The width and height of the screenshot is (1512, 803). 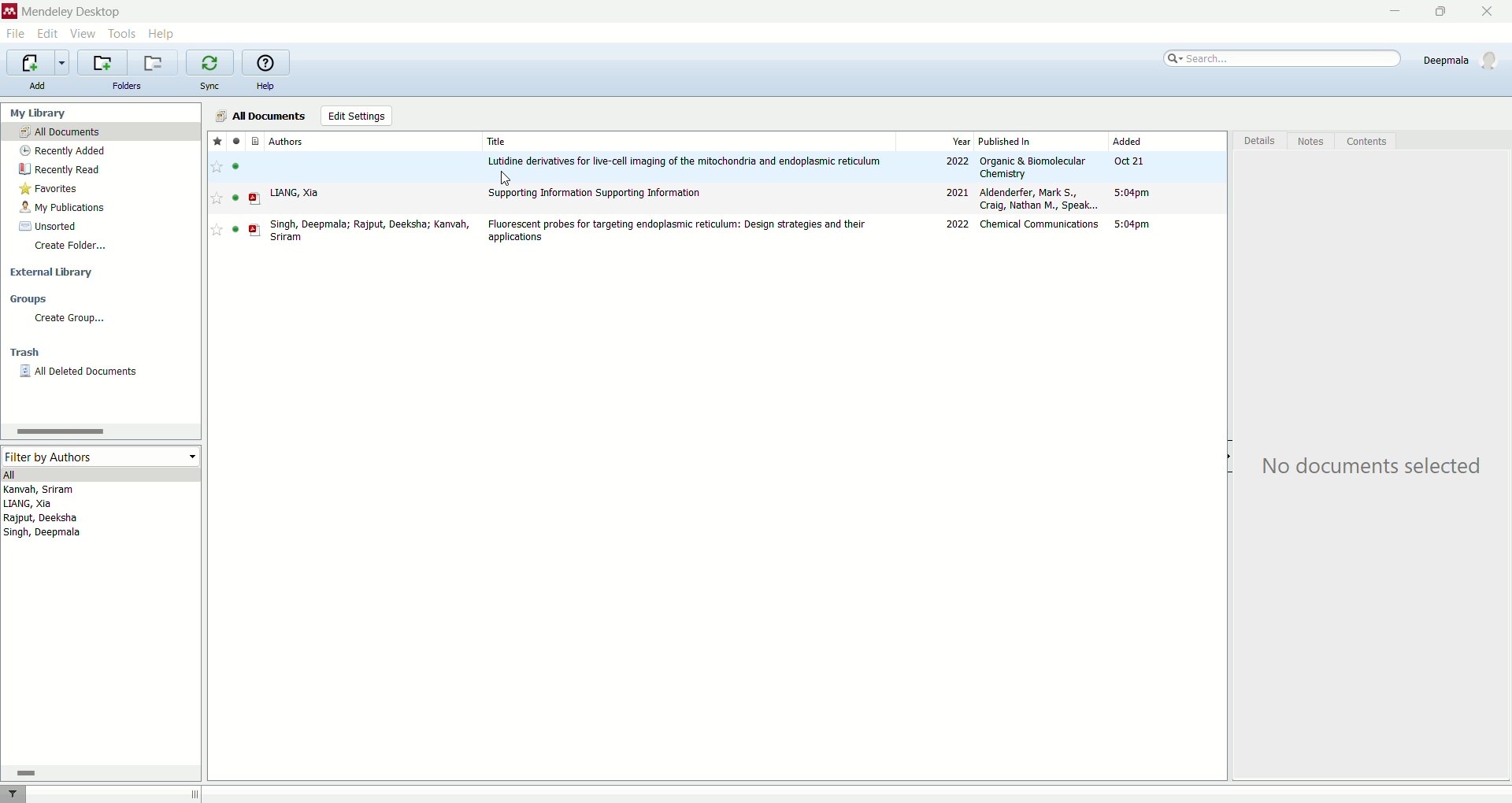 What do you see at coordinates (60, 490) in the screenshot?
I see `Kanvah, Sriram` at bounding box center [60, 490].